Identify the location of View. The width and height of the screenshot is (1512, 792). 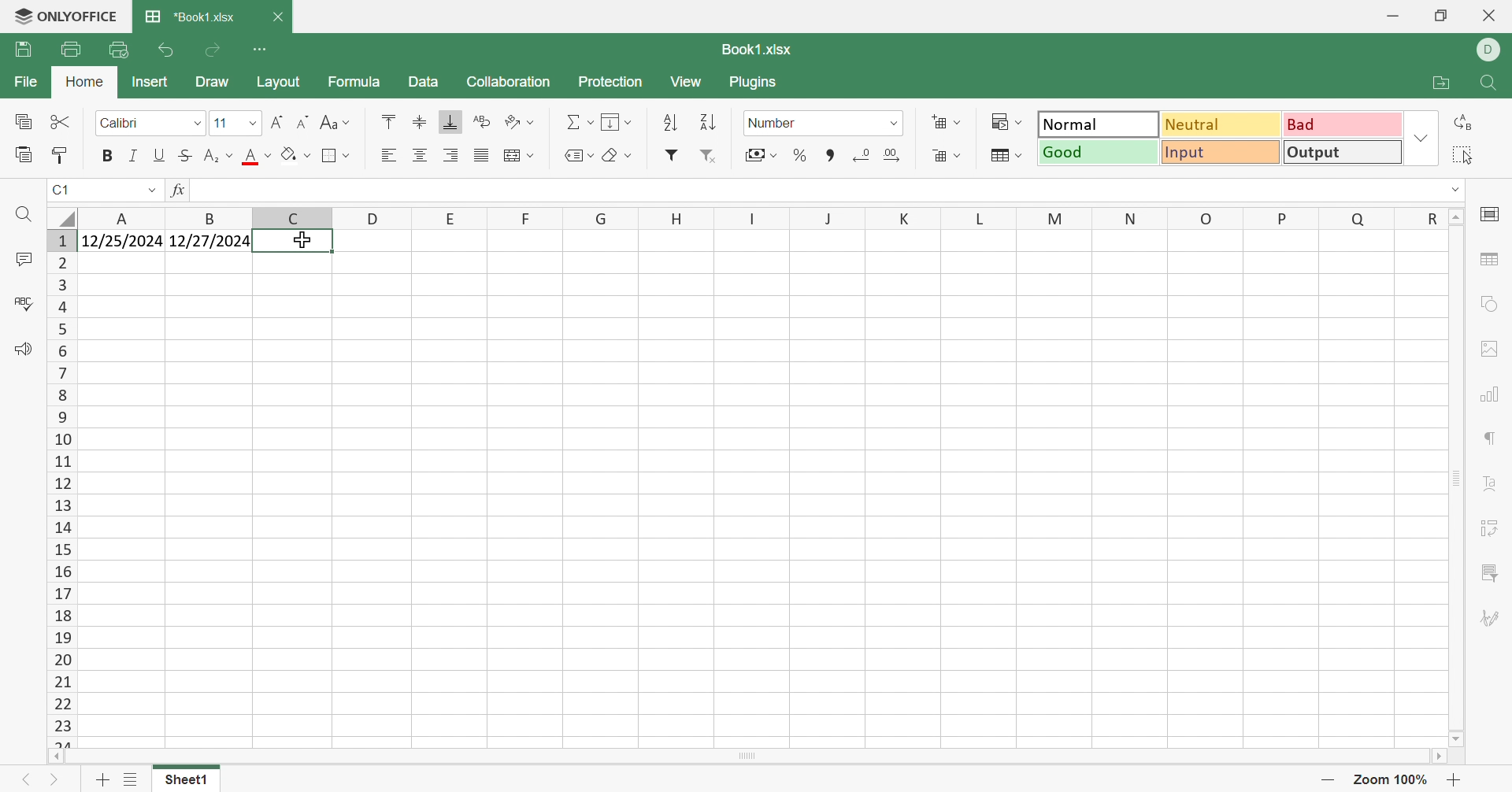
(684, 83).